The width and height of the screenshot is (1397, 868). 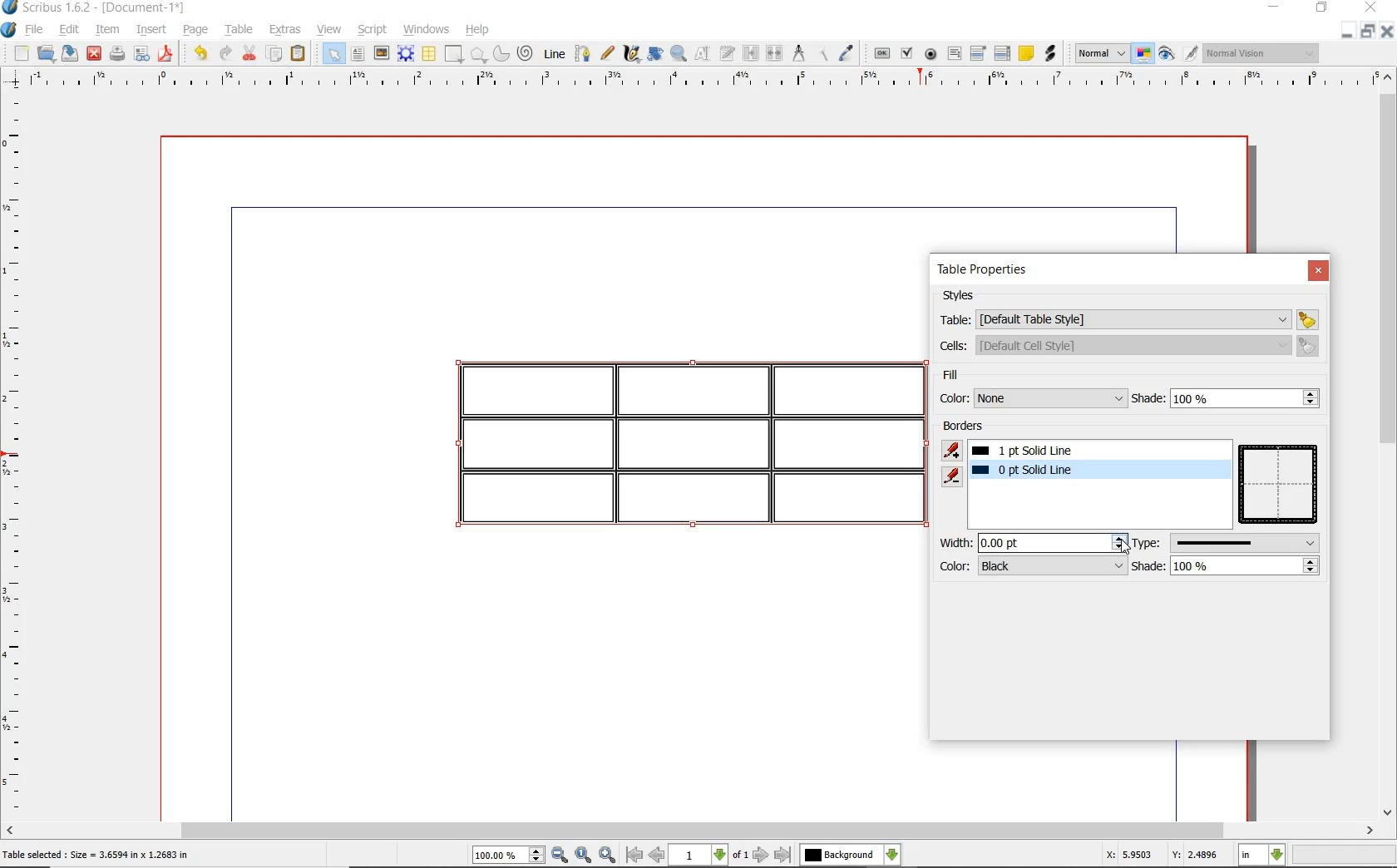 What do you see at coordinates (1227, 398) in the screenshot?
I see `shade` at bounding box center [1227, 398].